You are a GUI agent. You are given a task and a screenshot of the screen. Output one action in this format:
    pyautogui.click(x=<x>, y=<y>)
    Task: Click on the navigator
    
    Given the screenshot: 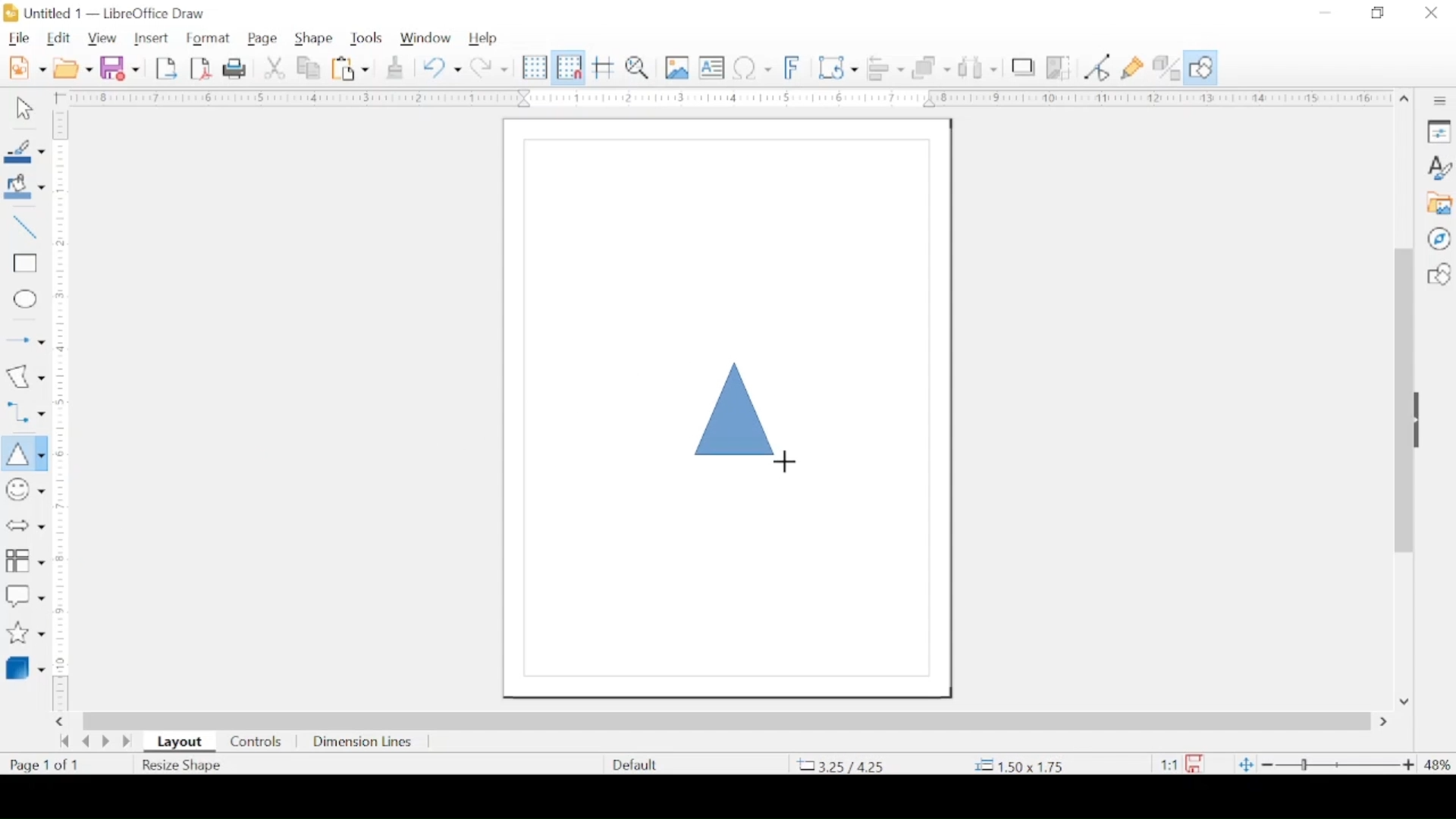 What is the action you would take?
    pyautogui.click(x=1439, y=239)
    